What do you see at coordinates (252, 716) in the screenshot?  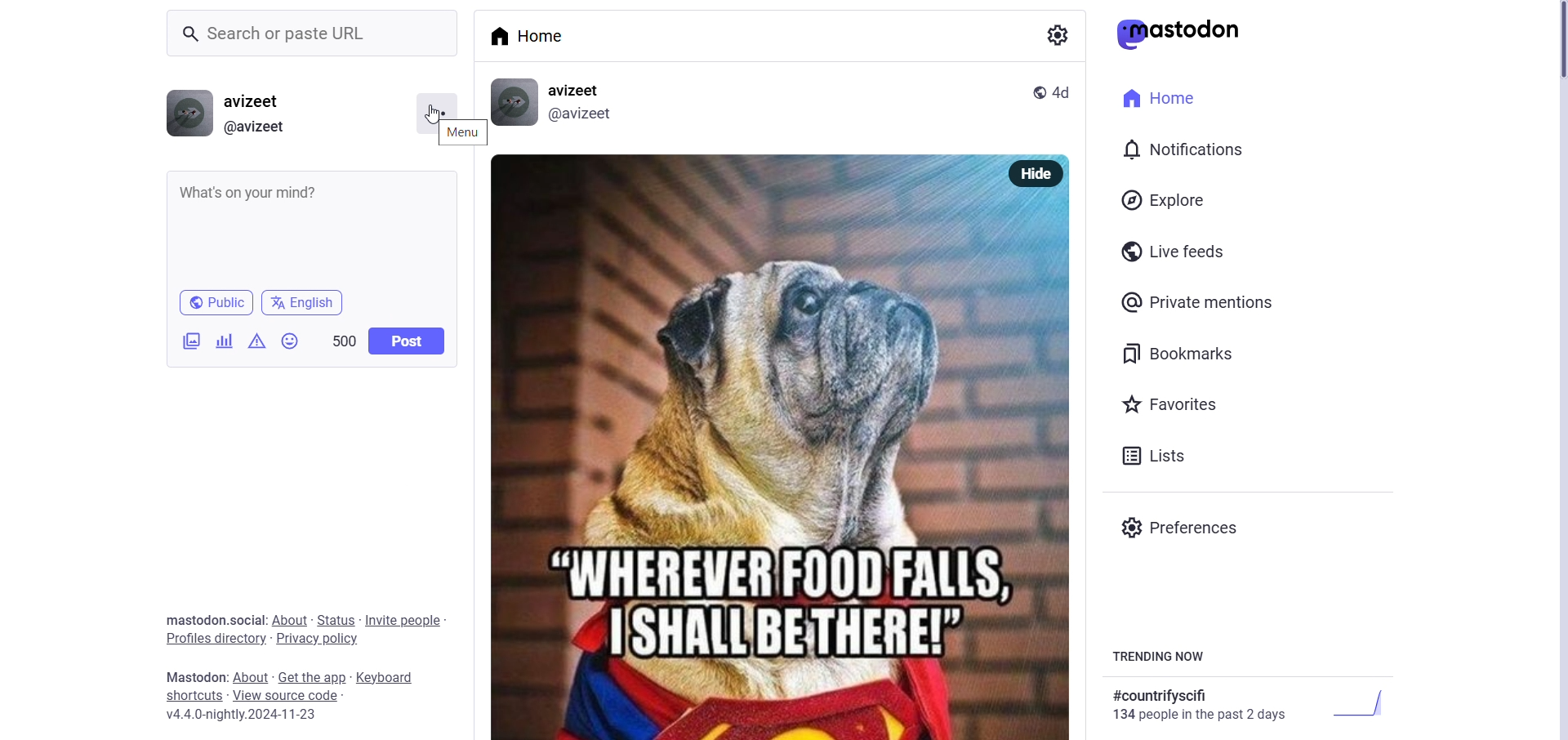 I see `version` at bounding box center [252, 716].